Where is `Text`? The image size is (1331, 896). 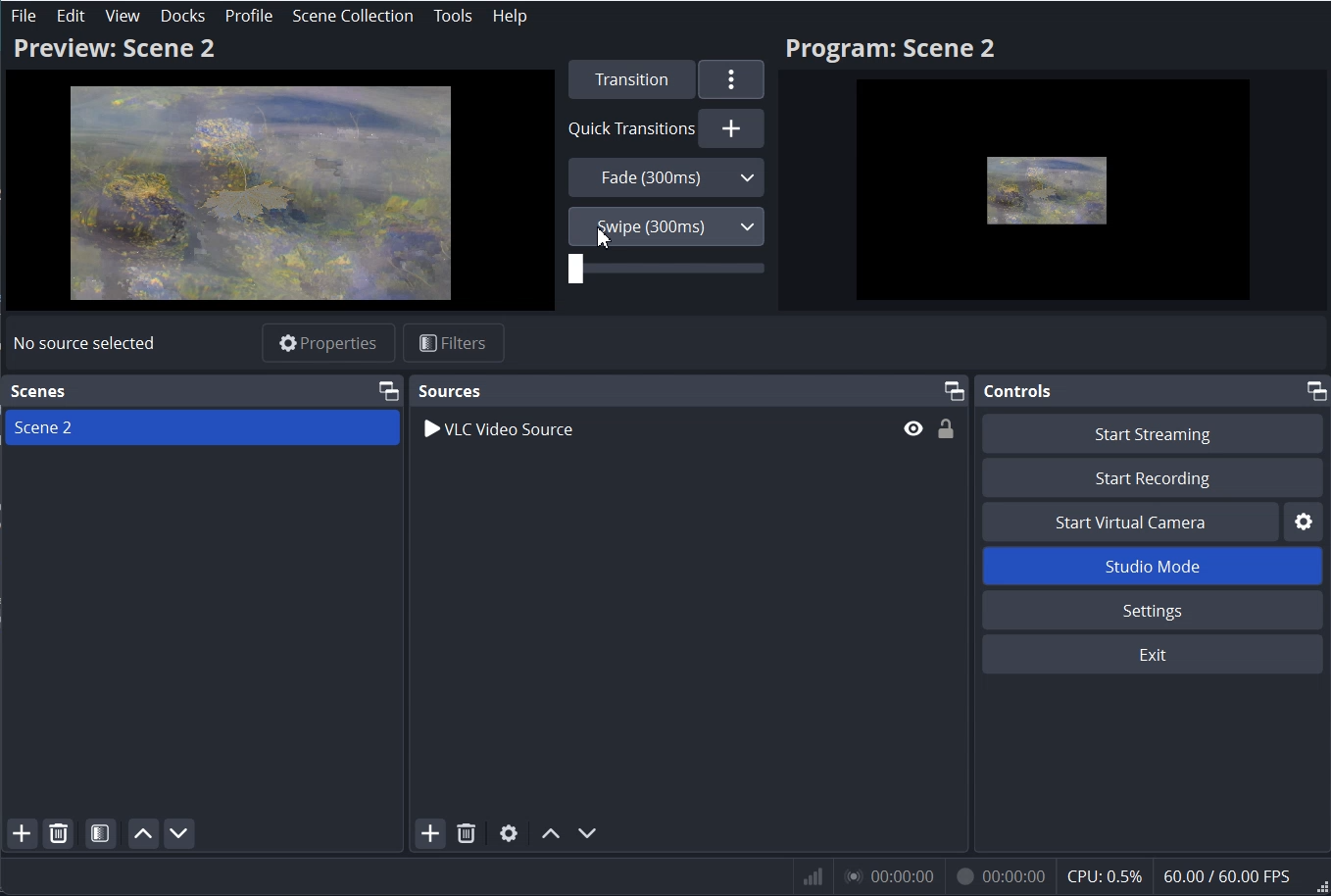
Text is located at coordinates (83, 343).